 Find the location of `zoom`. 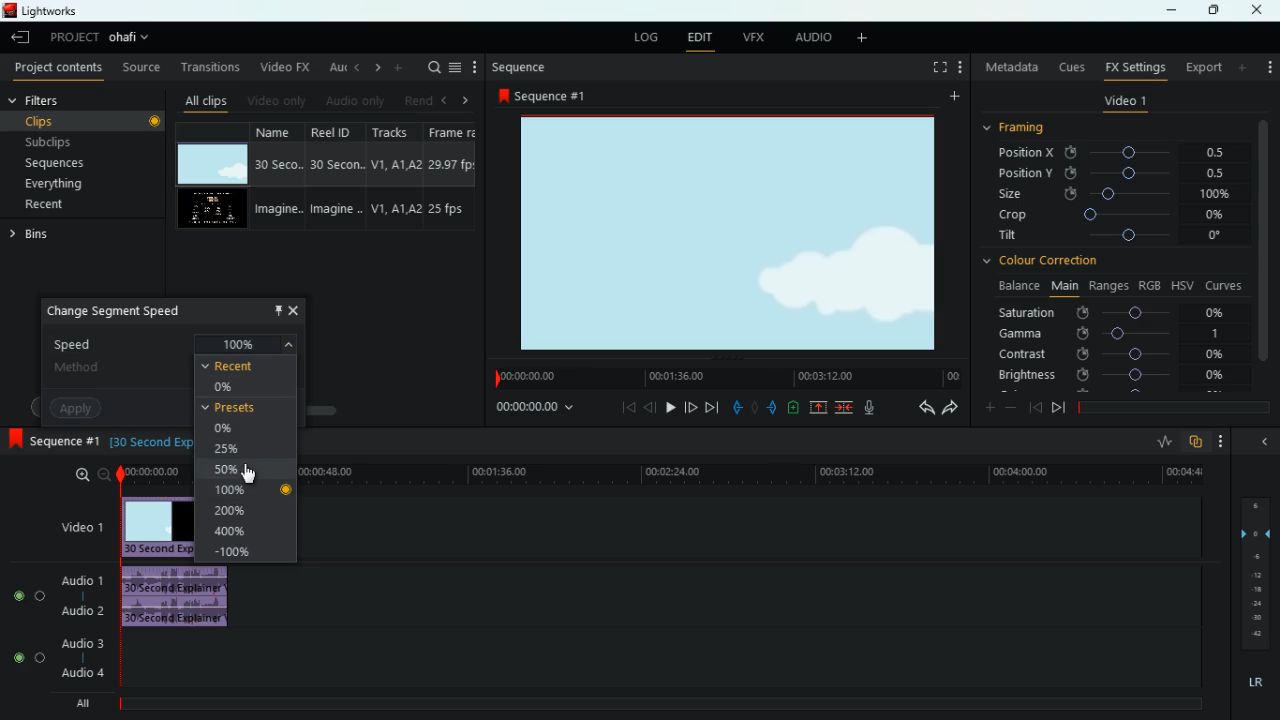

zoom is located at coordinates (91, 475).